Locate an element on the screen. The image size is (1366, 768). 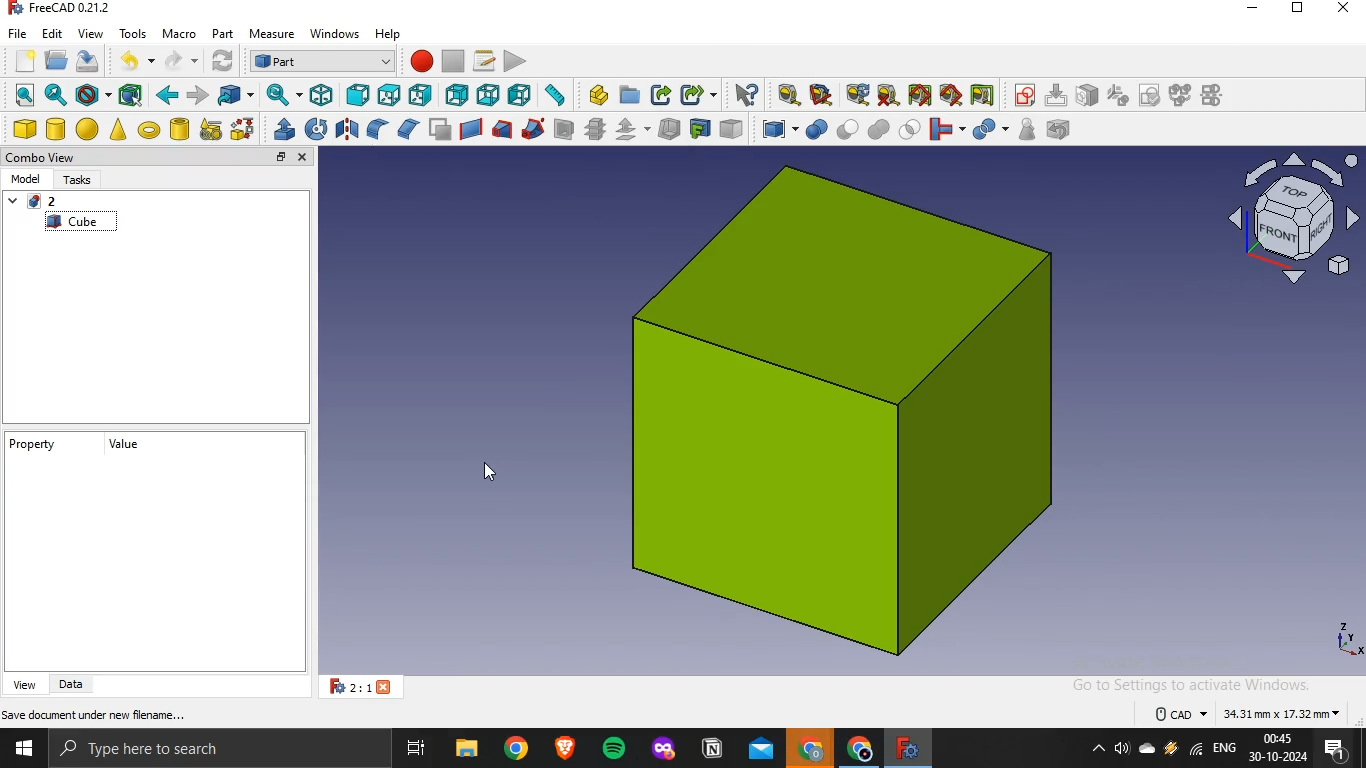
boolean is located at coordinates (816, 128).